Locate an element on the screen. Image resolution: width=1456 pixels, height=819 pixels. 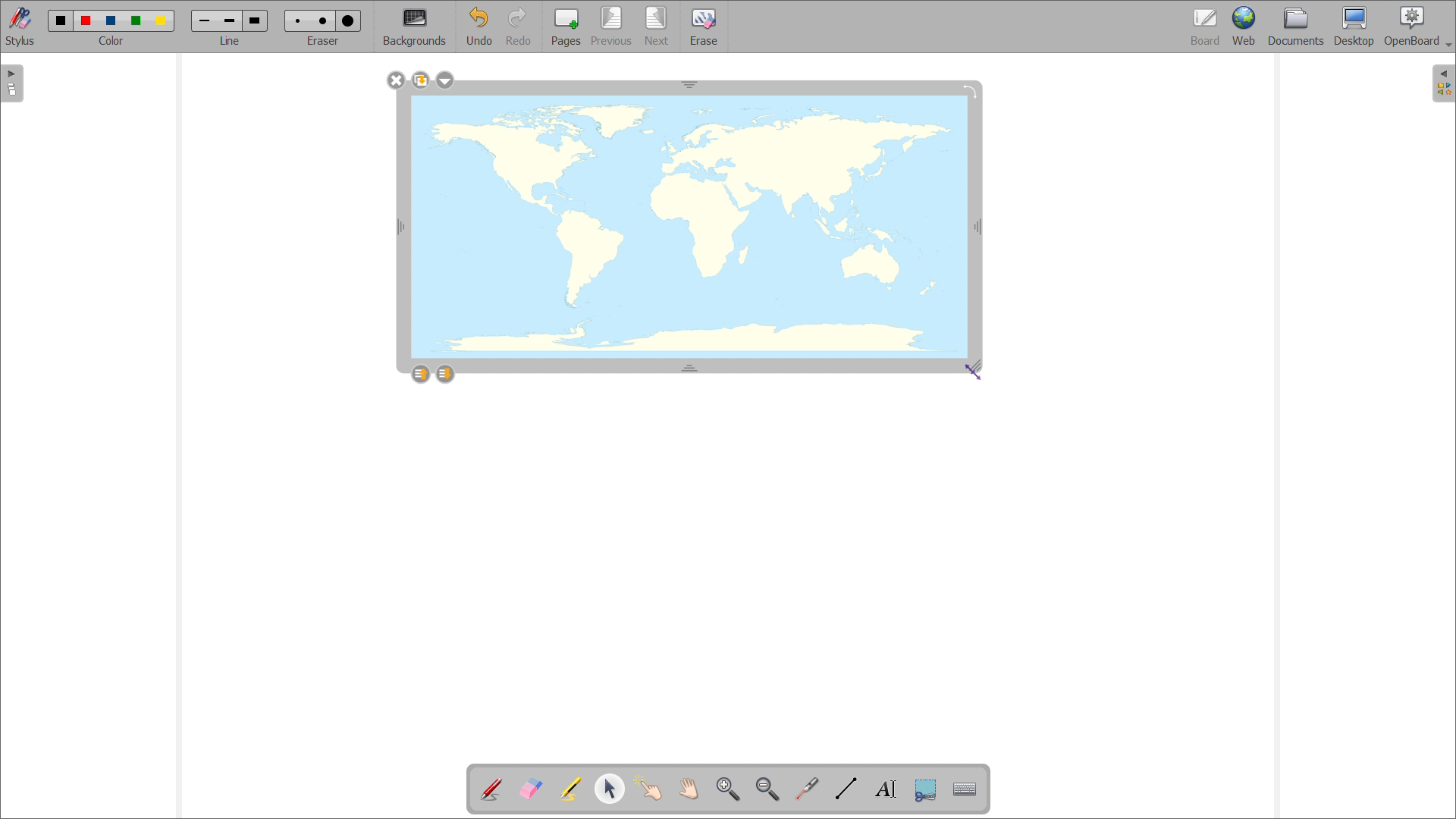
resize is located at coordinates (690, 83).